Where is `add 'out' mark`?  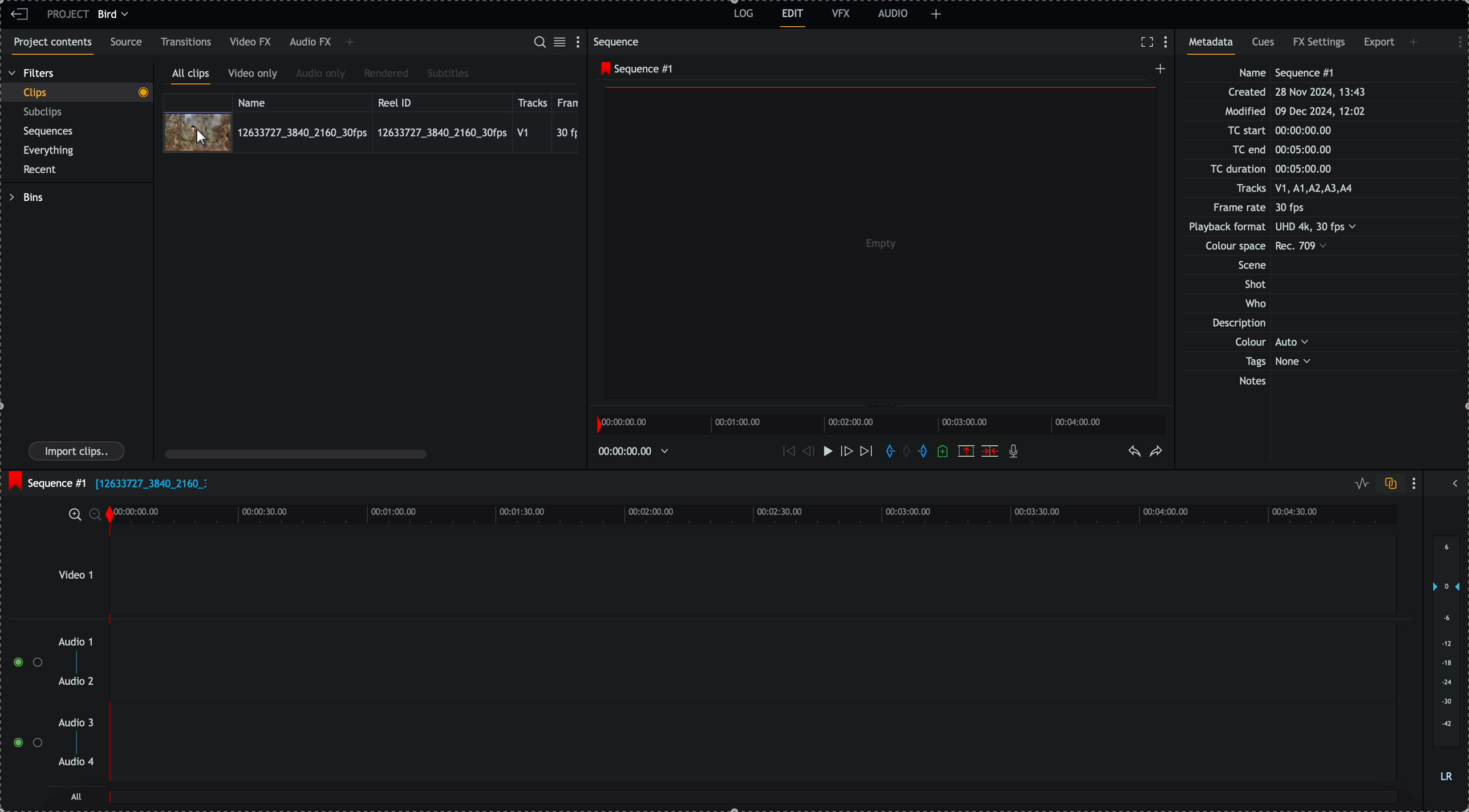
add 'out' mark is located at coordinates (922, 452).